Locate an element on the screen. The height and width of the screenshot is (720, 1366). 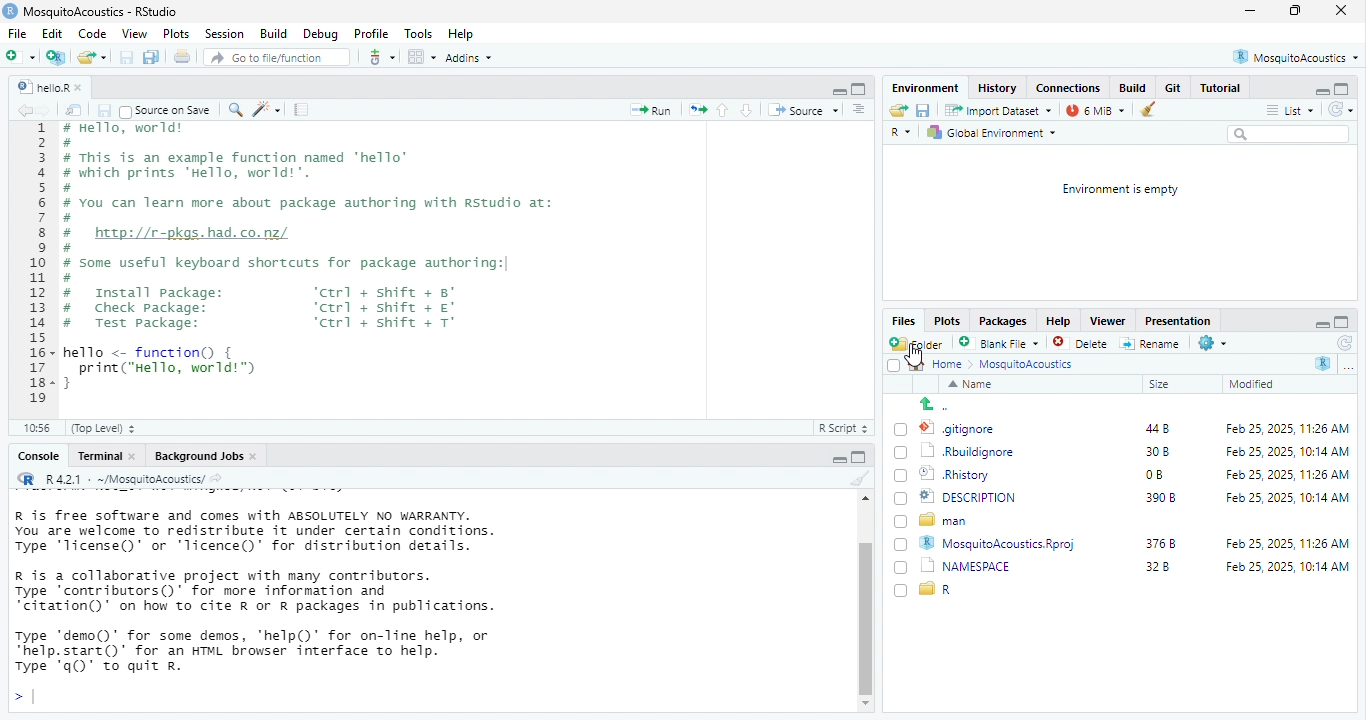
open an existing file is located at coordinates (93, 57).